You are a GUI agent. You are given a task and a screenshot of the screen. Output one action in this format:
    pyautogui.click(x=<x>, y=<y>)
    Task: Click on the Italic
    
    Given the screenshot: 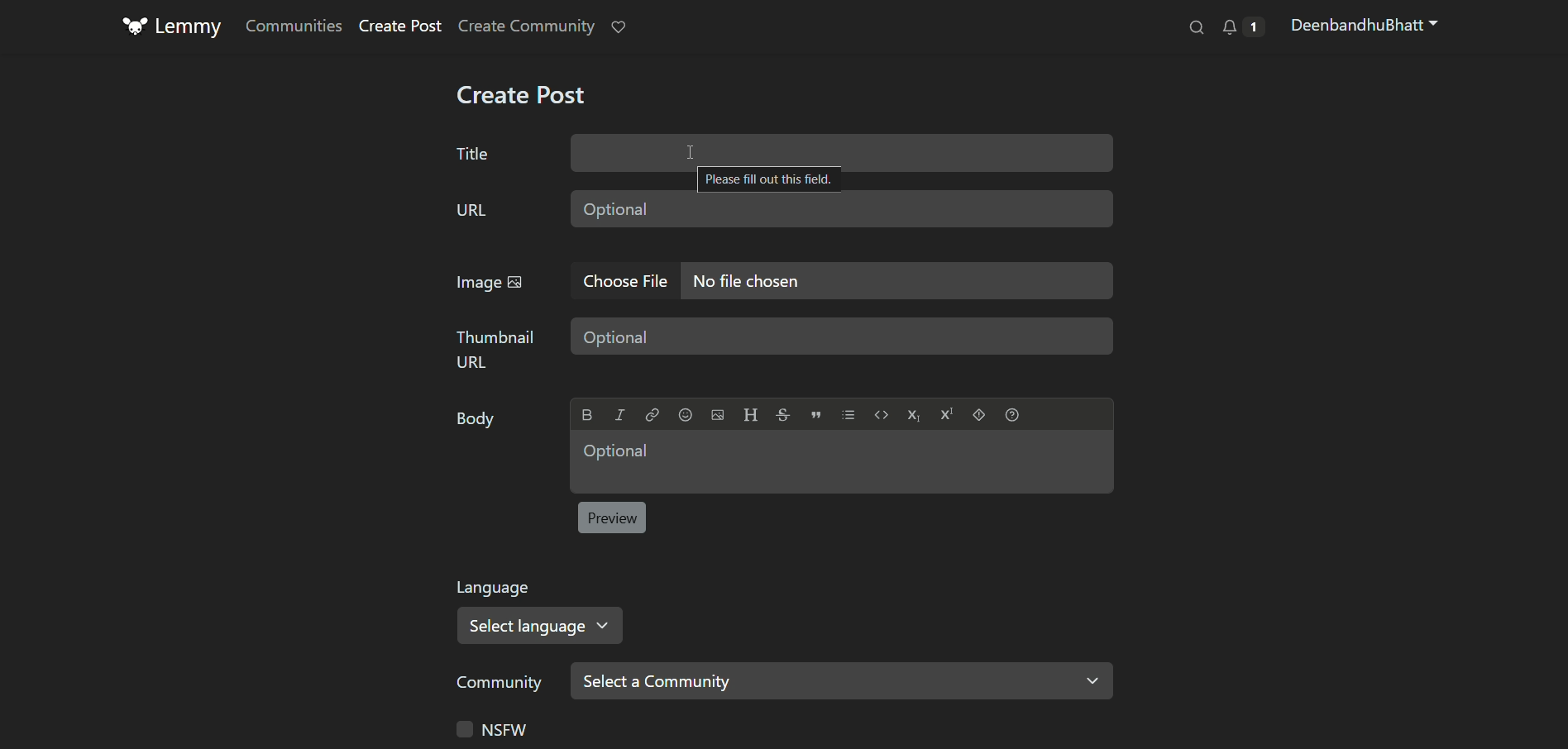 What is the action you would take?
    pyautogui.click(x=620, y=415)
    